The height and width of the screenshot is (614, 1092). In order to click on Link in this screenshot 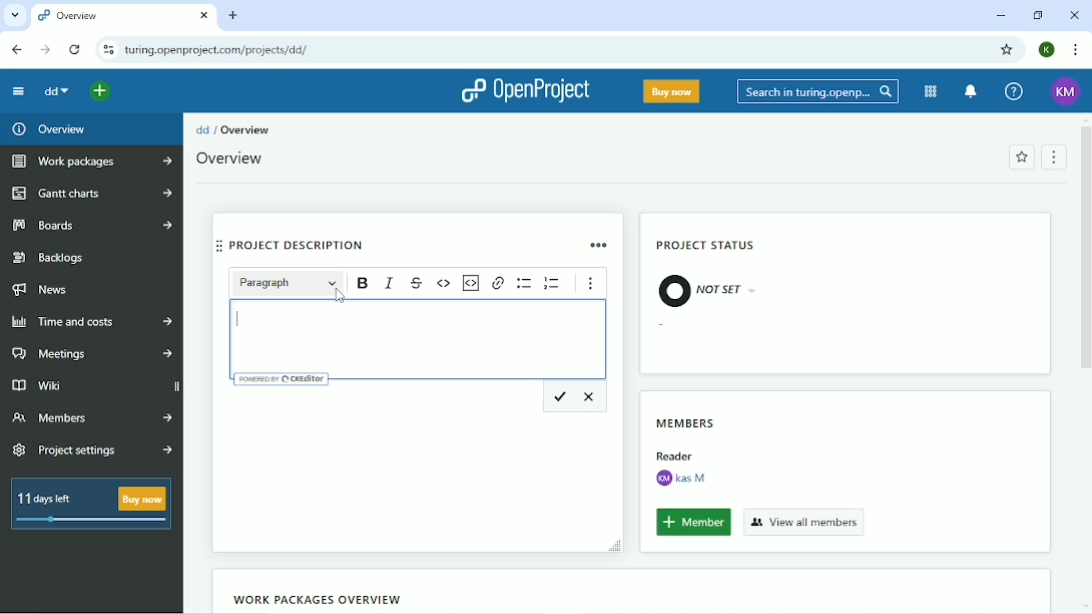, I will do `click(499, 283)`.